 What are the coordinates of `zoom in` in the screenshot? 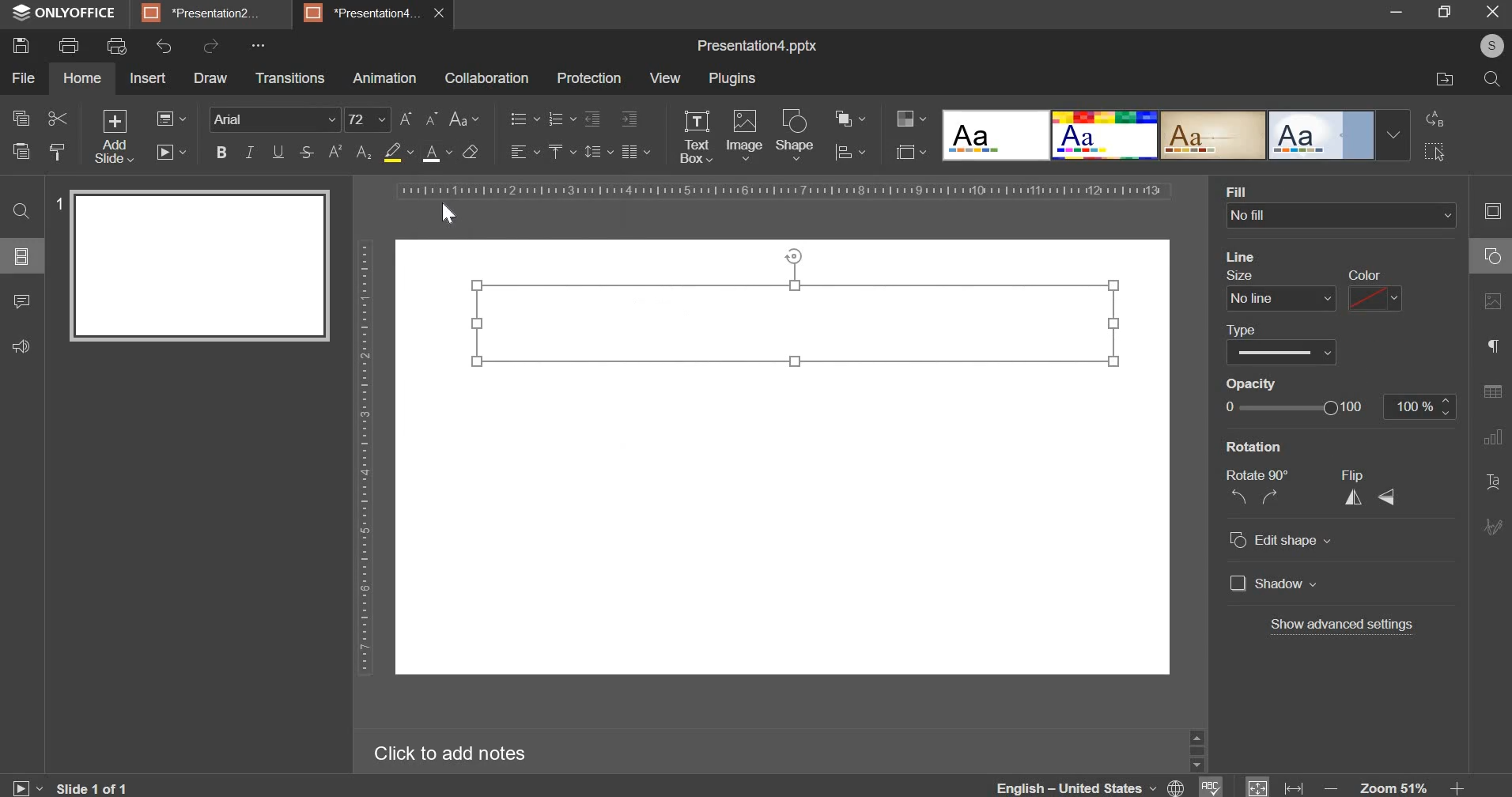 It's located at (1453, 784).